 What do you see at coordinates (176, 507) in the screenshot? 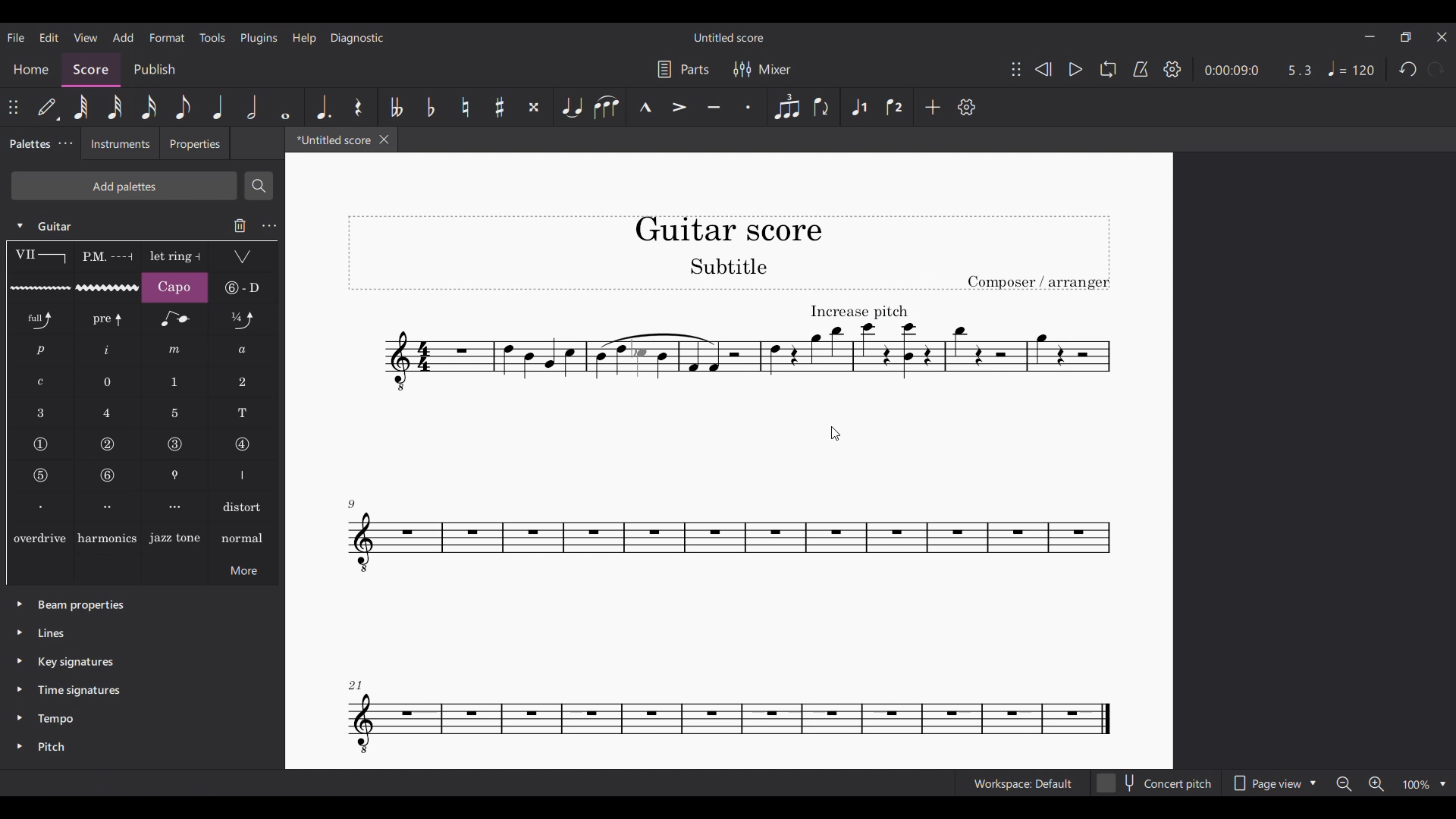
I see `Right hand fingering, third finger` at bounding box center [176, 507].